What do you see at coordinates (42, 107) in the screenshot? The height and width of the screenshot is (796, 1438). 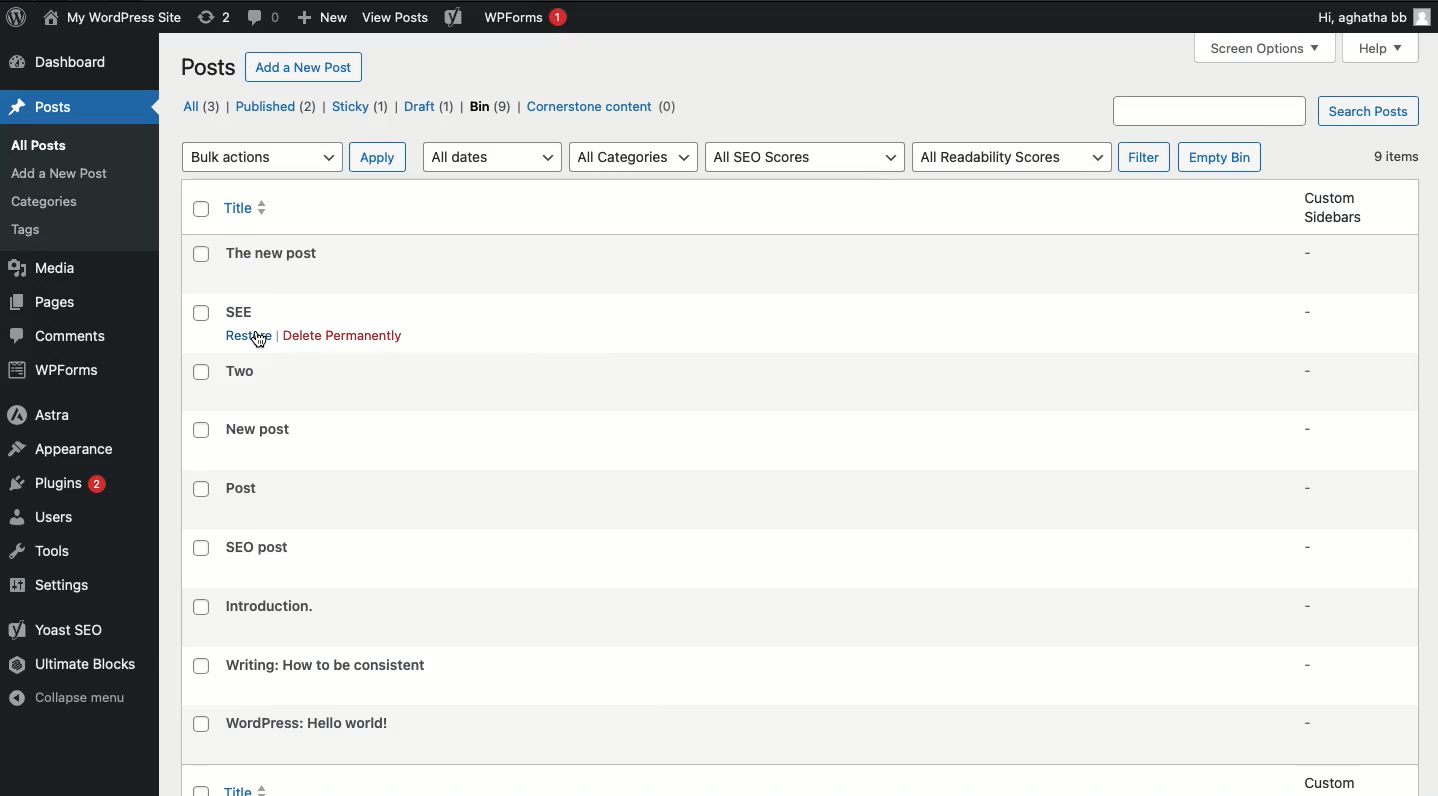 I see `Posts` at bounding box center [42, 107].